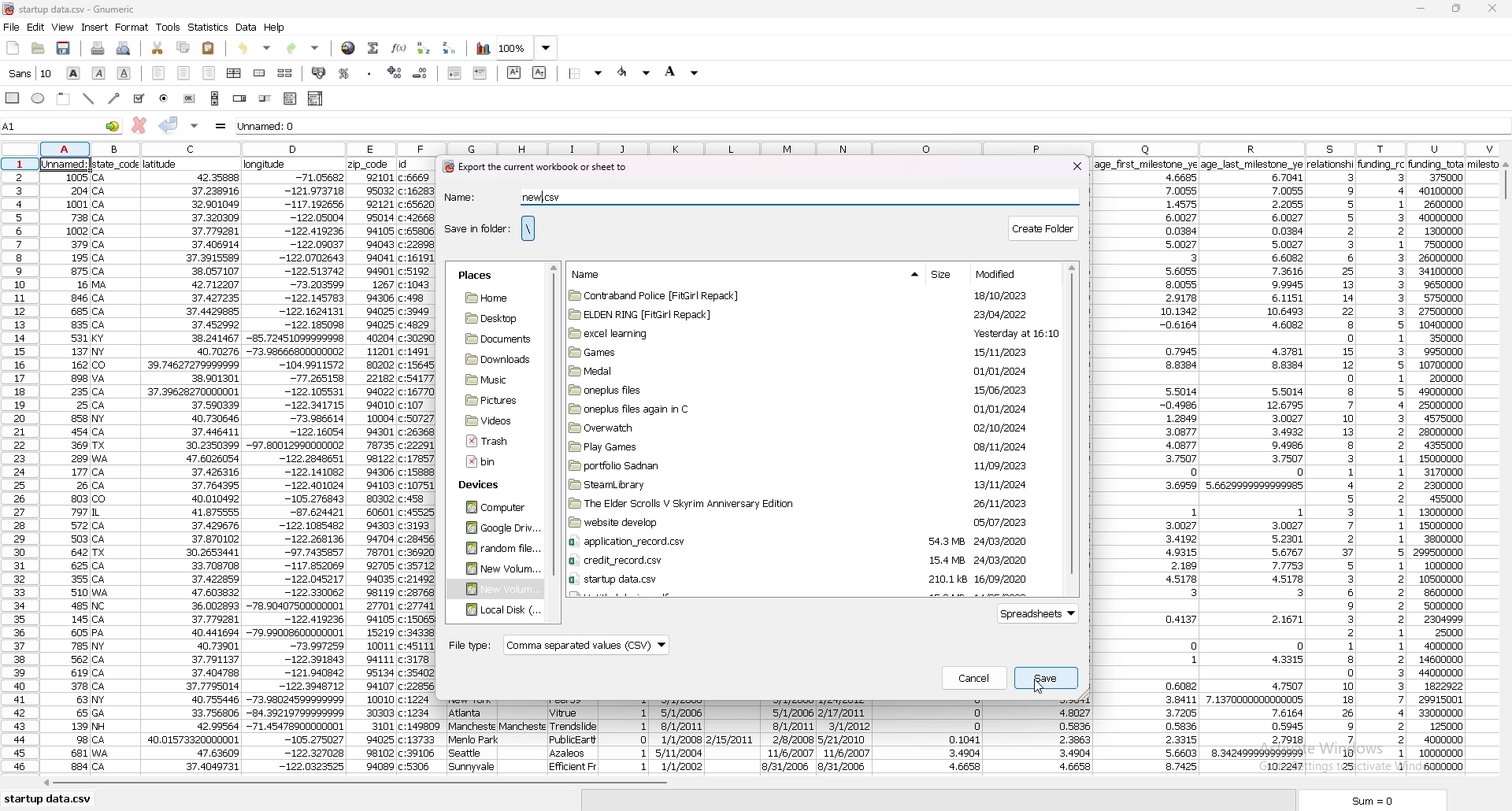 The height and width of the screenshot is (811, 1512). What do you see at coordinates (258, 46) in the screenshot?
I see `undo` at bounding box center [258, 46].